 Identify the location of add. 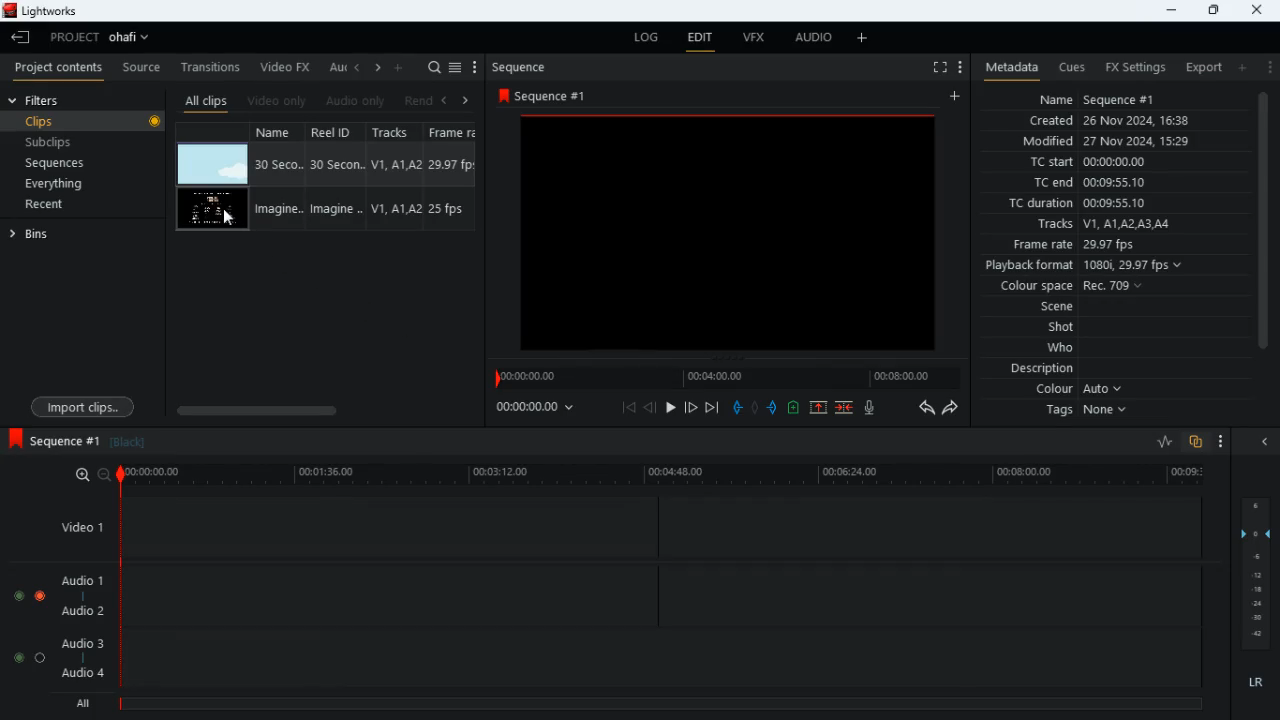
(400, 66).